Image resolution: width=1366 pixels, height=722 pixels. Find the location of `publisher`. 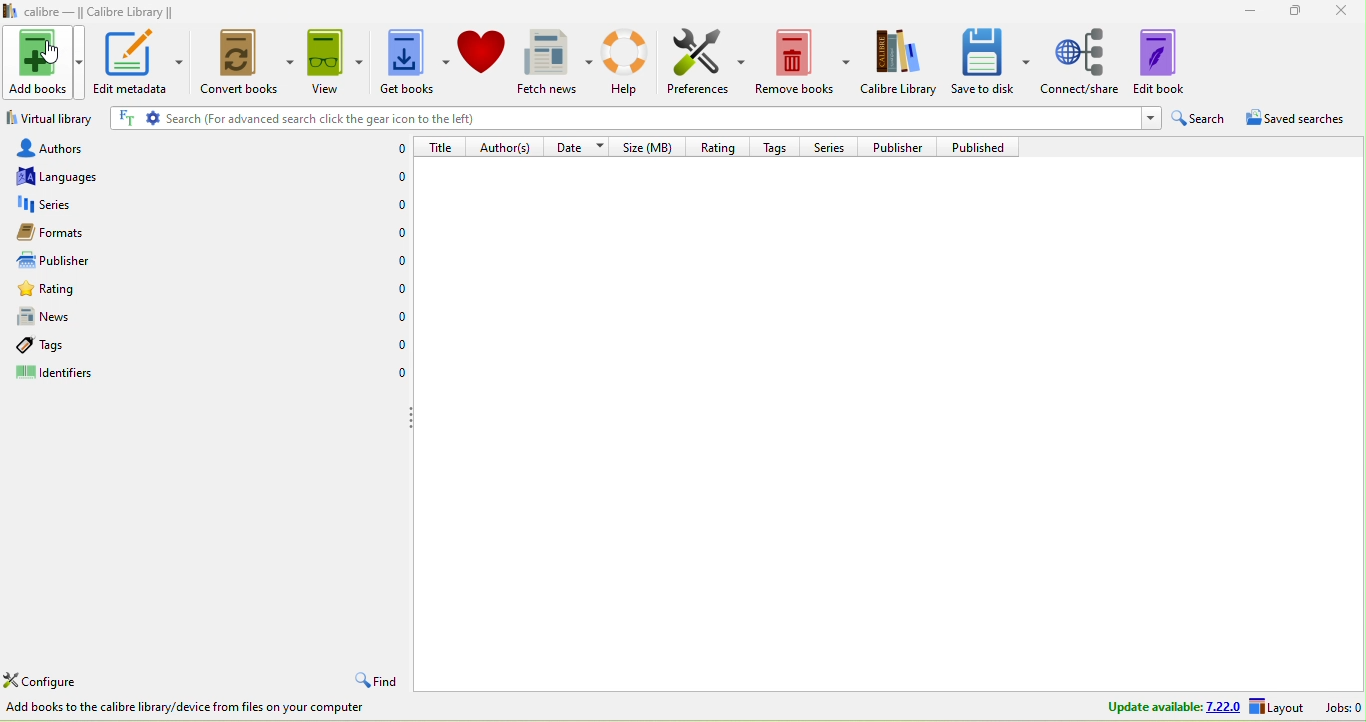

publisher is located at coordinates (904, 146).